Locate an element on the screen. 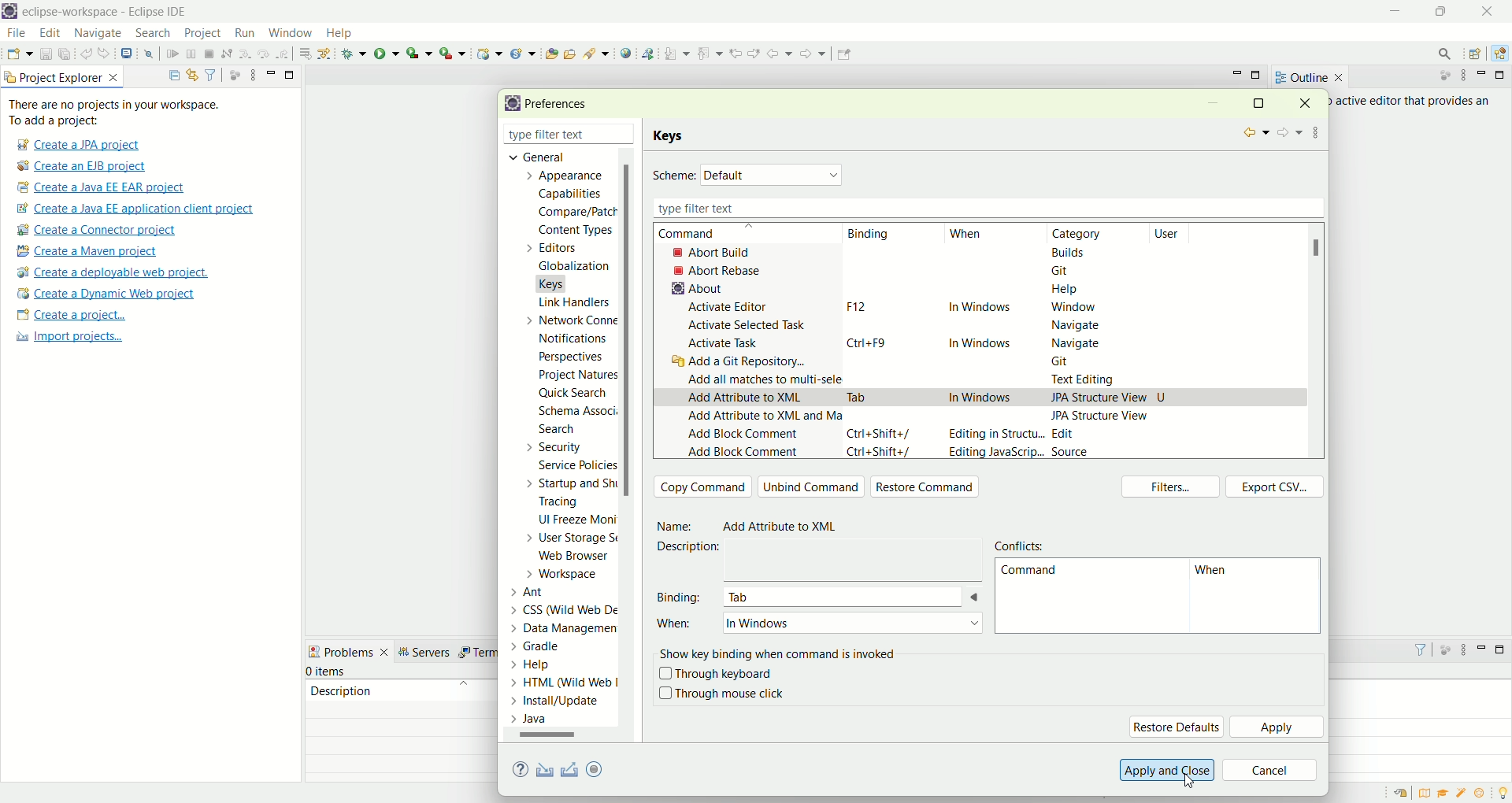  collapse all is located at coordinates (170, 76).